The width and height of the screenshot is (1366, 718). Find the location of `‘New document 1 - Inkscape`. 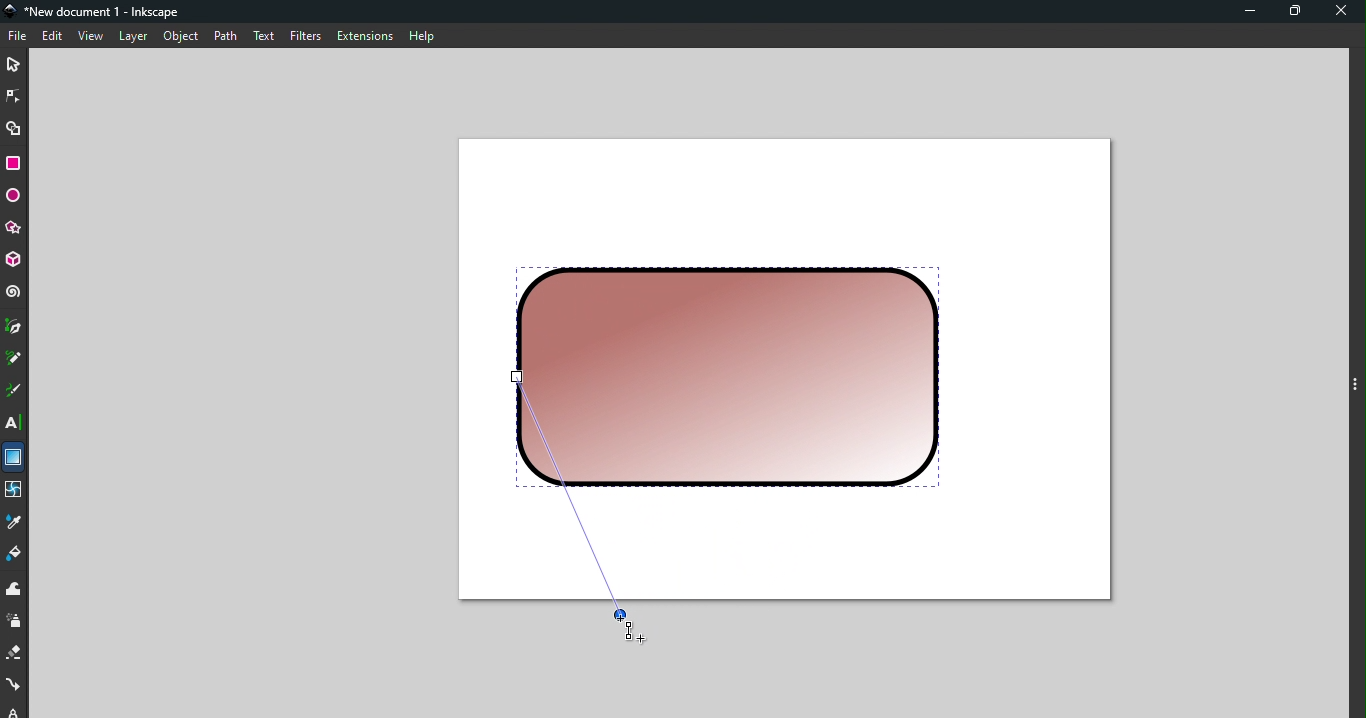

‘New document 1 - Inkscape is located at coordinates (105, 12).